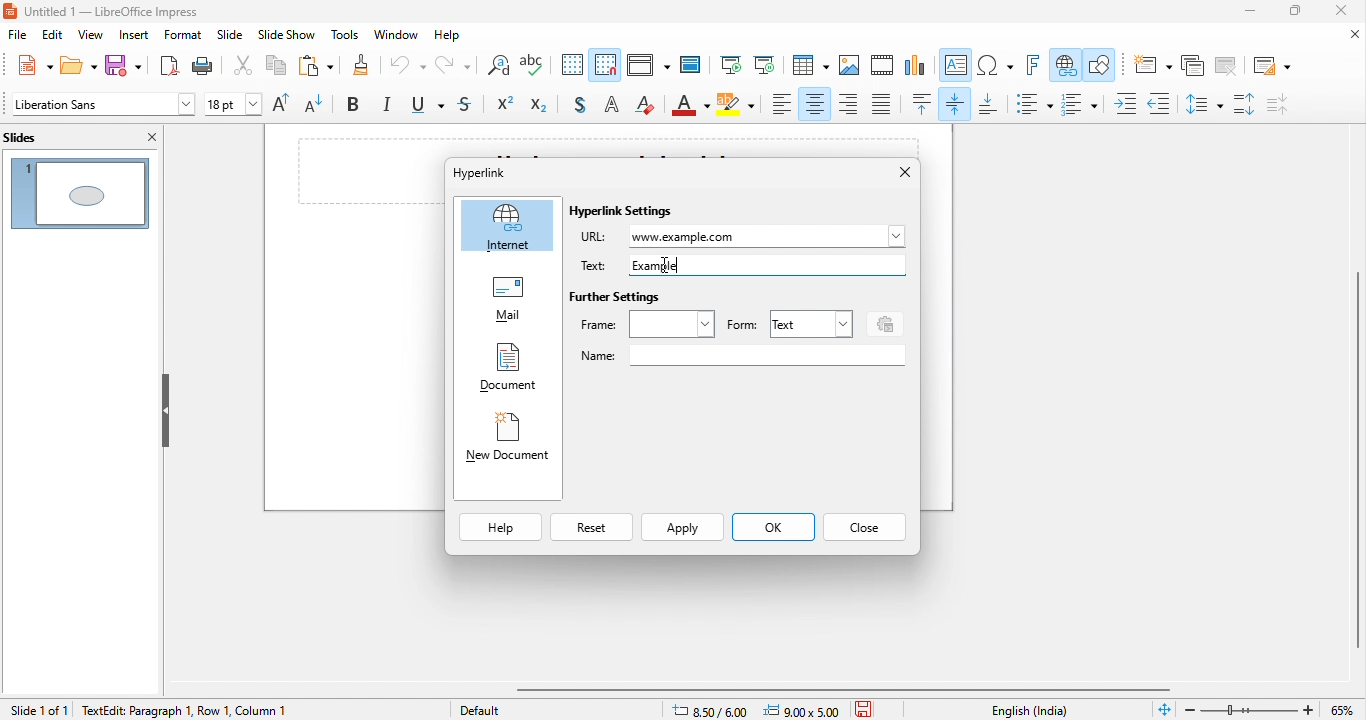  Describe the element at coordinates (1164, 710) in the screenshot. I see `fit slide to fit window` at that location.